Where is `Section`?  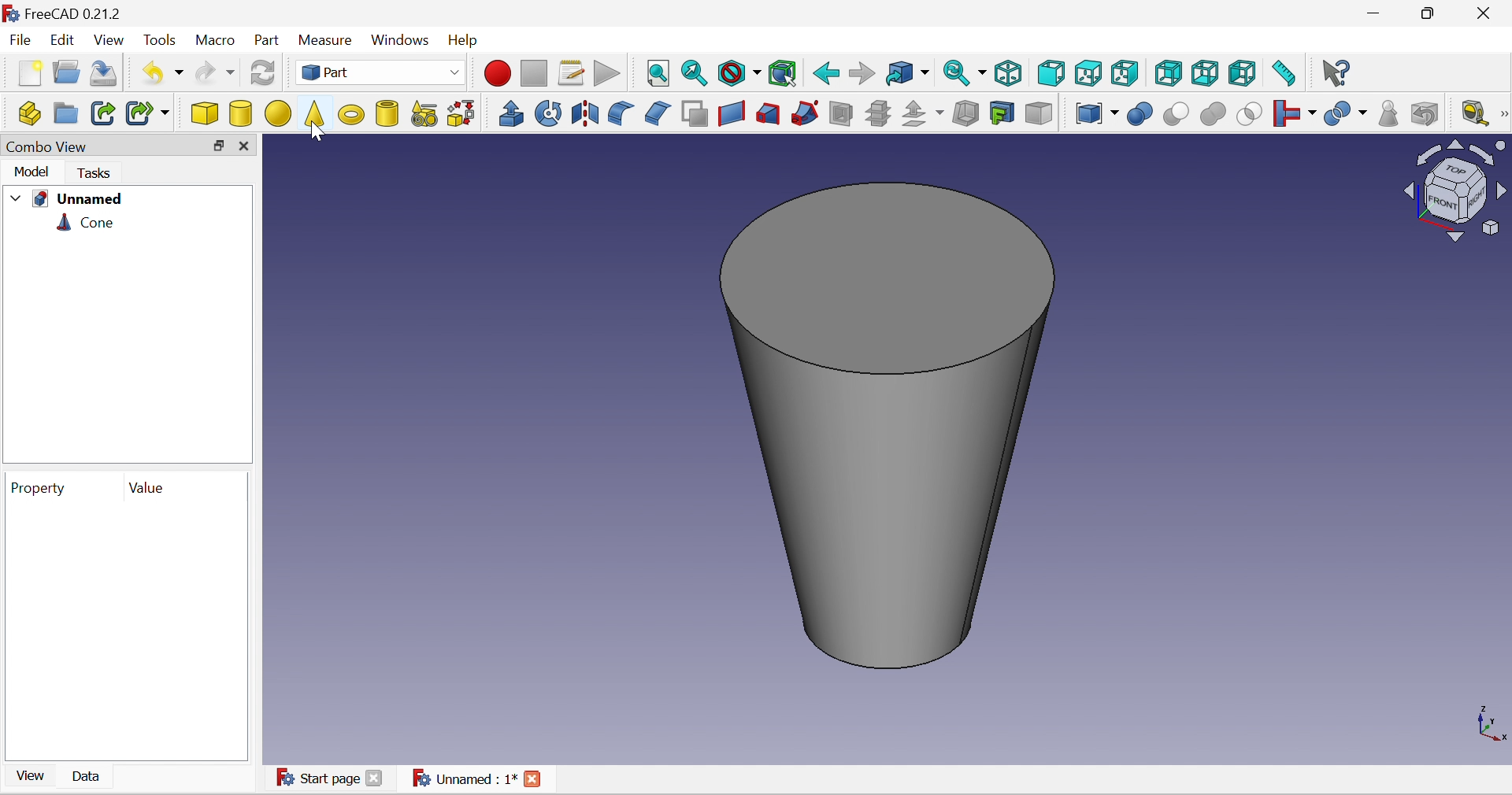
Section is located at coordinates (841, 115).